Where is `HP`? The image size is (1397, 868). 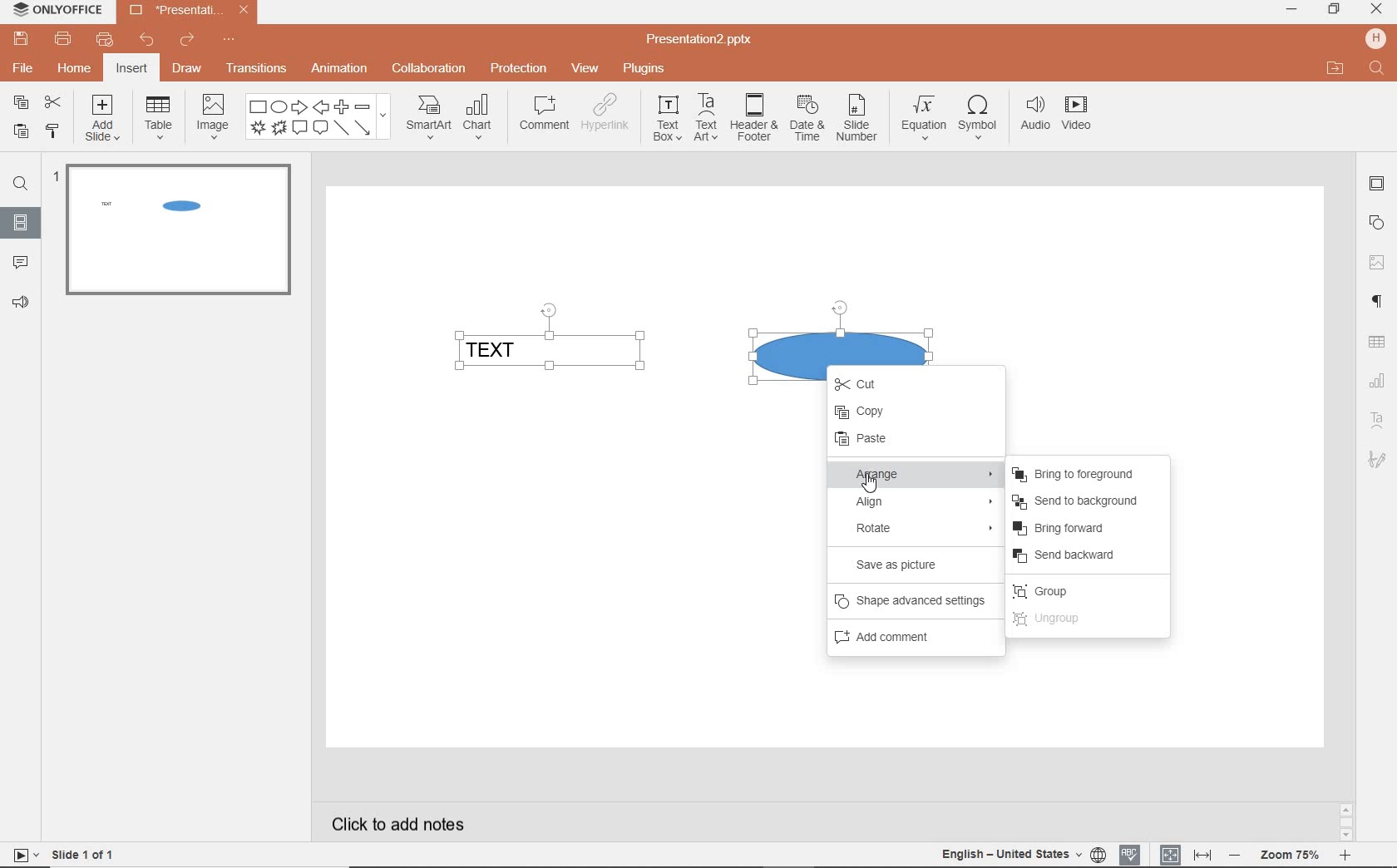 HP is located at coordinates (1377, 38).